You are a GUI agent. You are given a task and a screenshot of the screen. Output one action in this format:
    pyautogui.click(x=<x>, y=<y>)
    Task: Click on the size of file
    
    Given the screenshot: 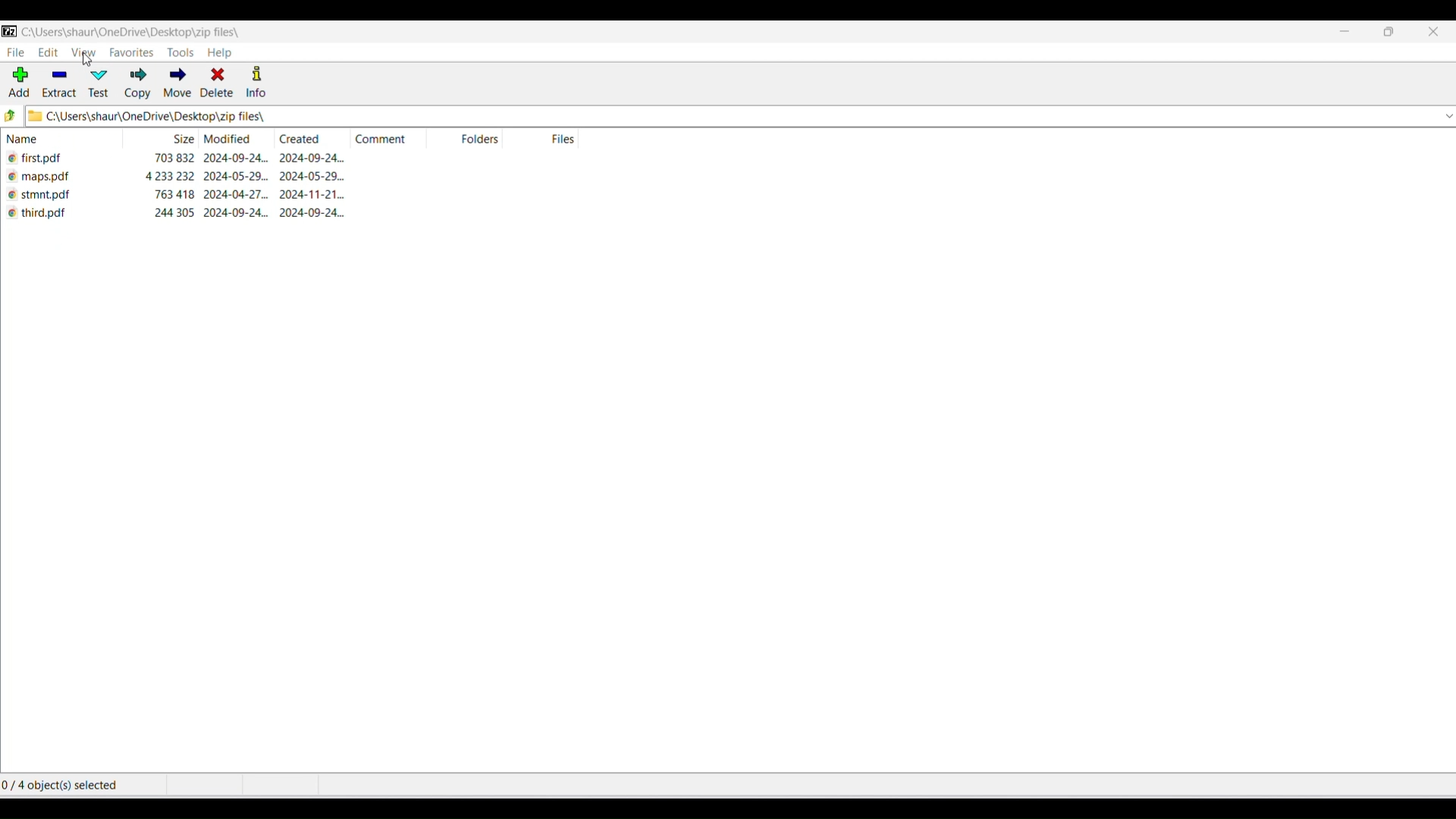 What is the action you would take?
    pyautogui.click(x=172, y=177)
    